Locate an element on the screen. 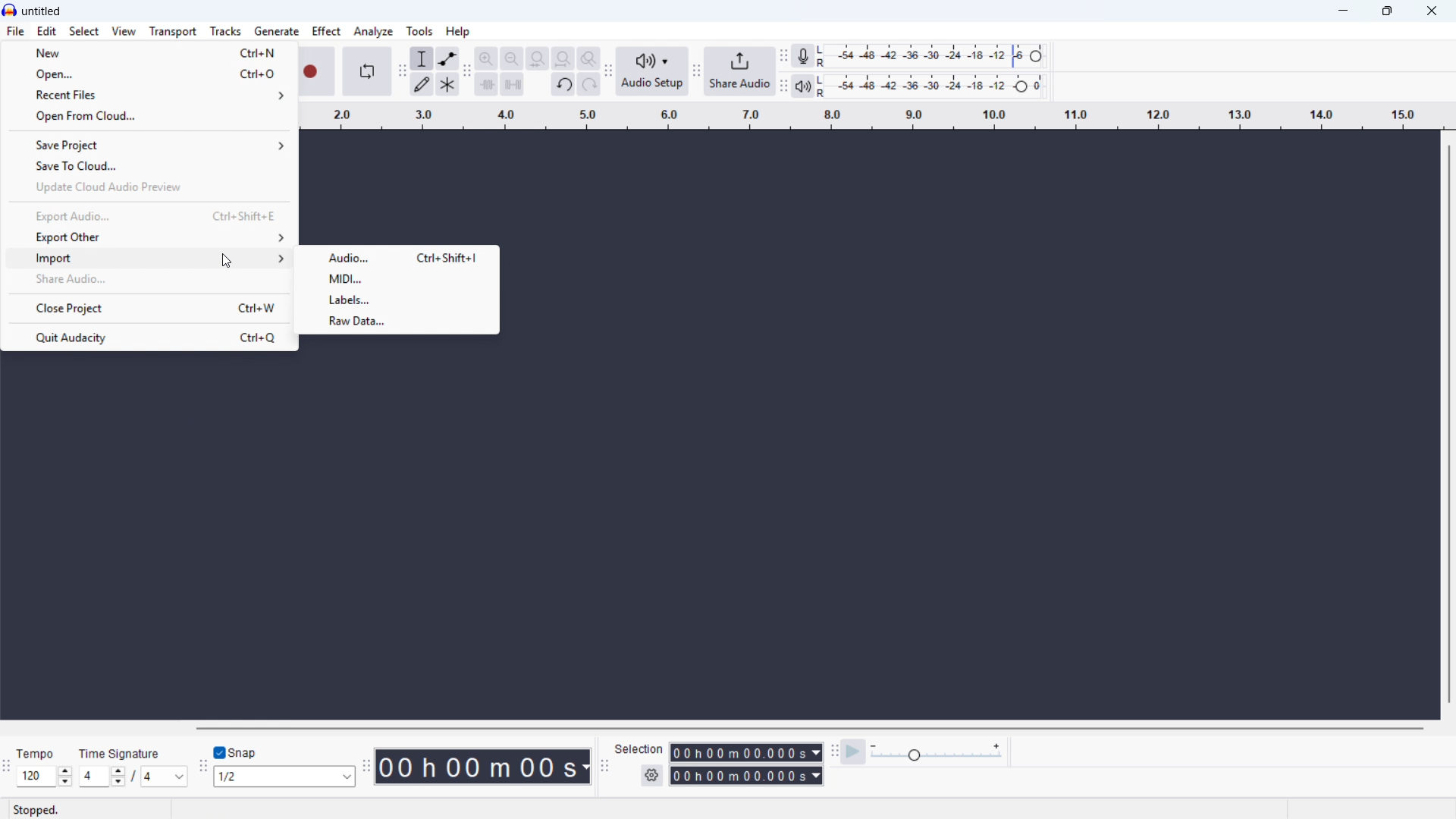 Image resolution: width=1456 pixels, height=819 pixels. Record  is located at coordinates (318, 71).